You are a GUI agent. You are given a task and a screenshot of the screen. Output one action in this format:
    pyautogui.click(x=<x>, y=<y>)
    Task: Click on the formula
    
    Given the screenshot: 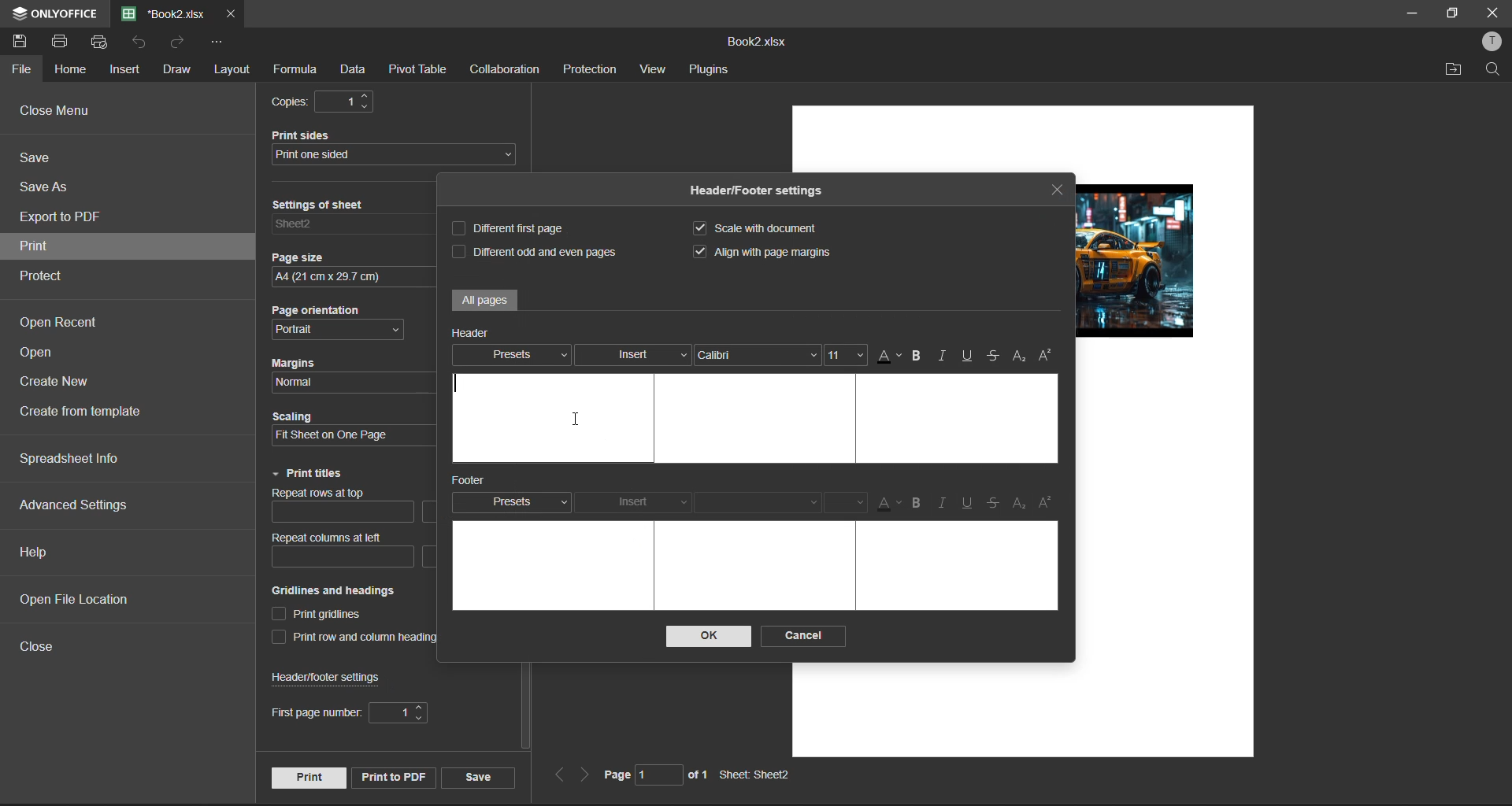 What is the action you would take?
    pyautogui.click(x=294, y=71)
    